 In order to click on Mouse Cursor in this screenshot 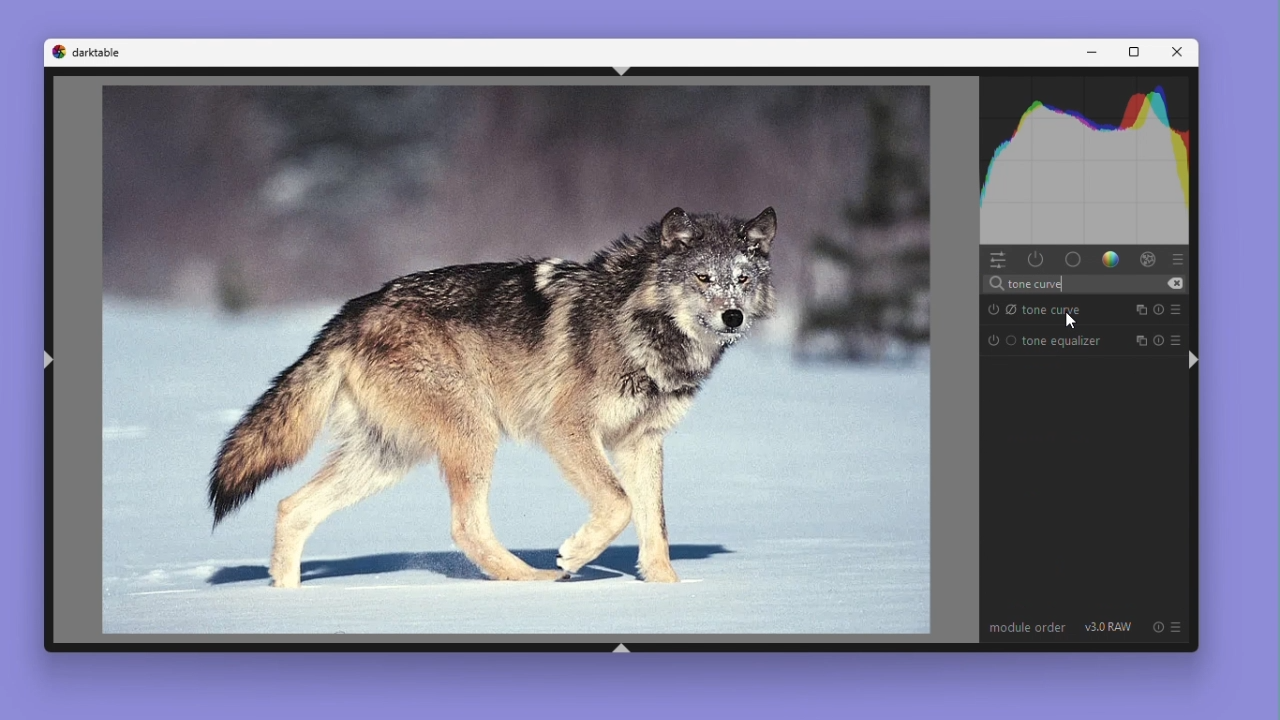, I will do `click(1069, 320)`.